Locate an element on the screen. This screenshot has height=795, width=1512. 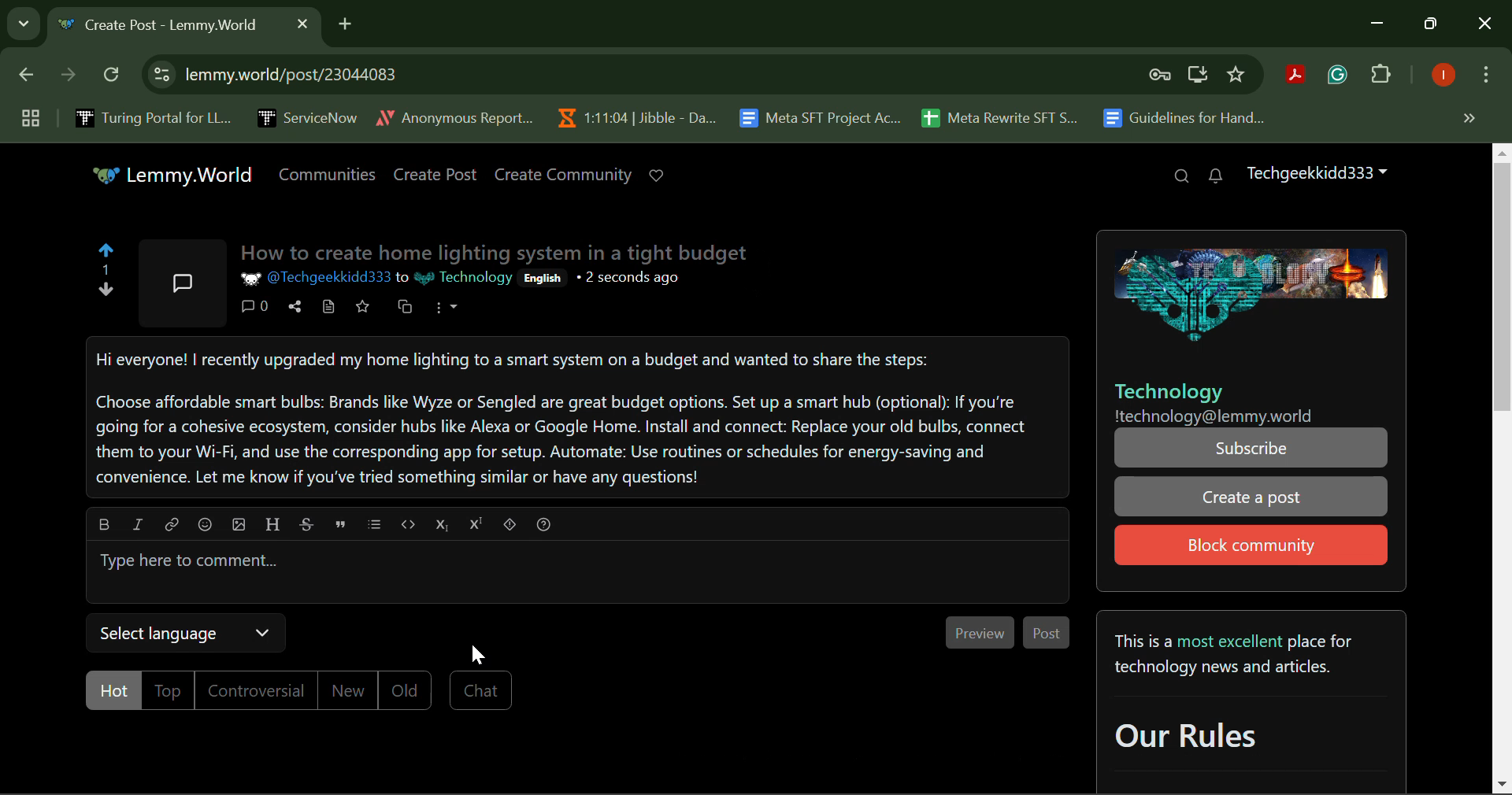
Comment Text Workspace is located at coordinates (578, 573).